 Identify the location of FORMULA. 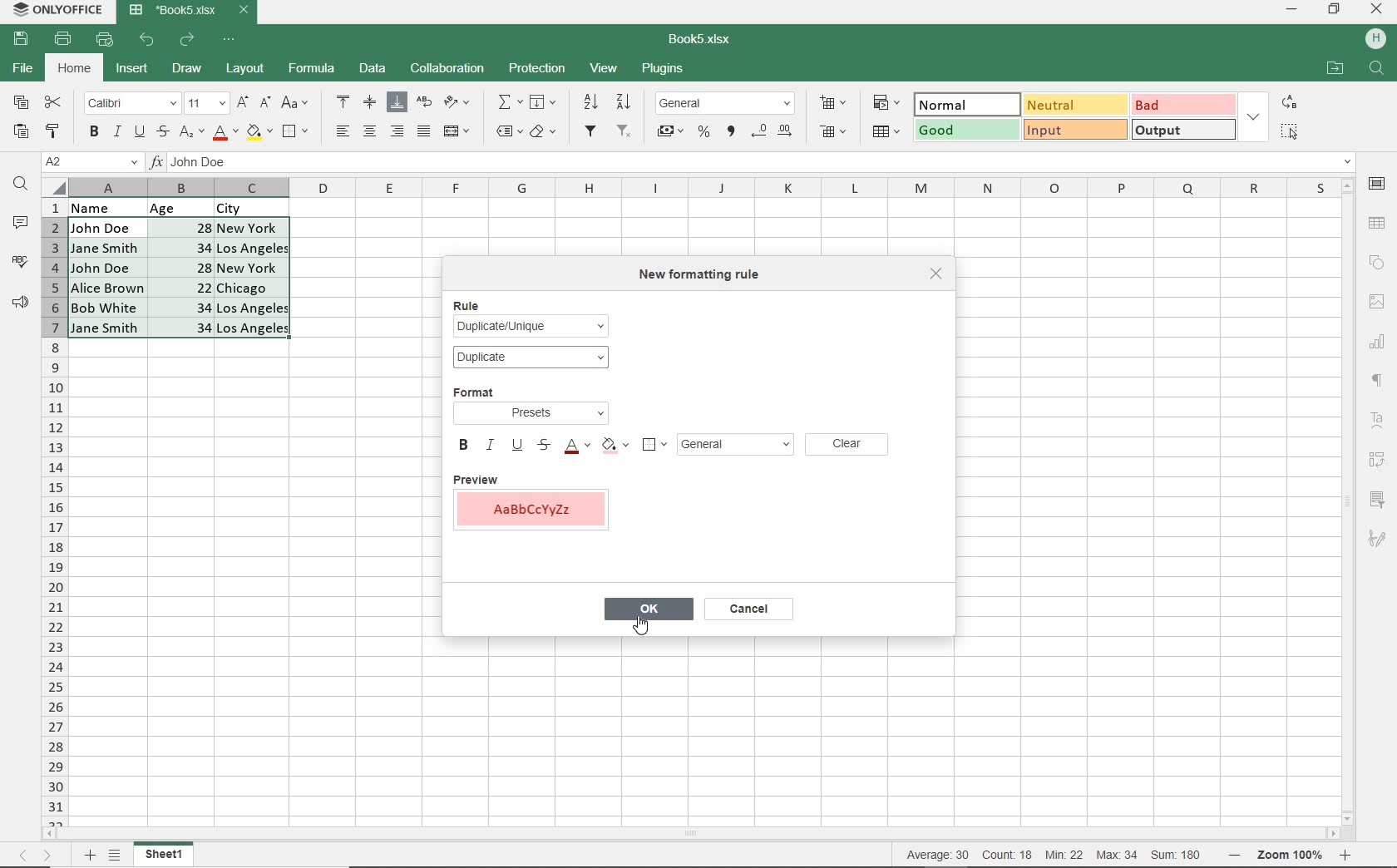
(313, 69).